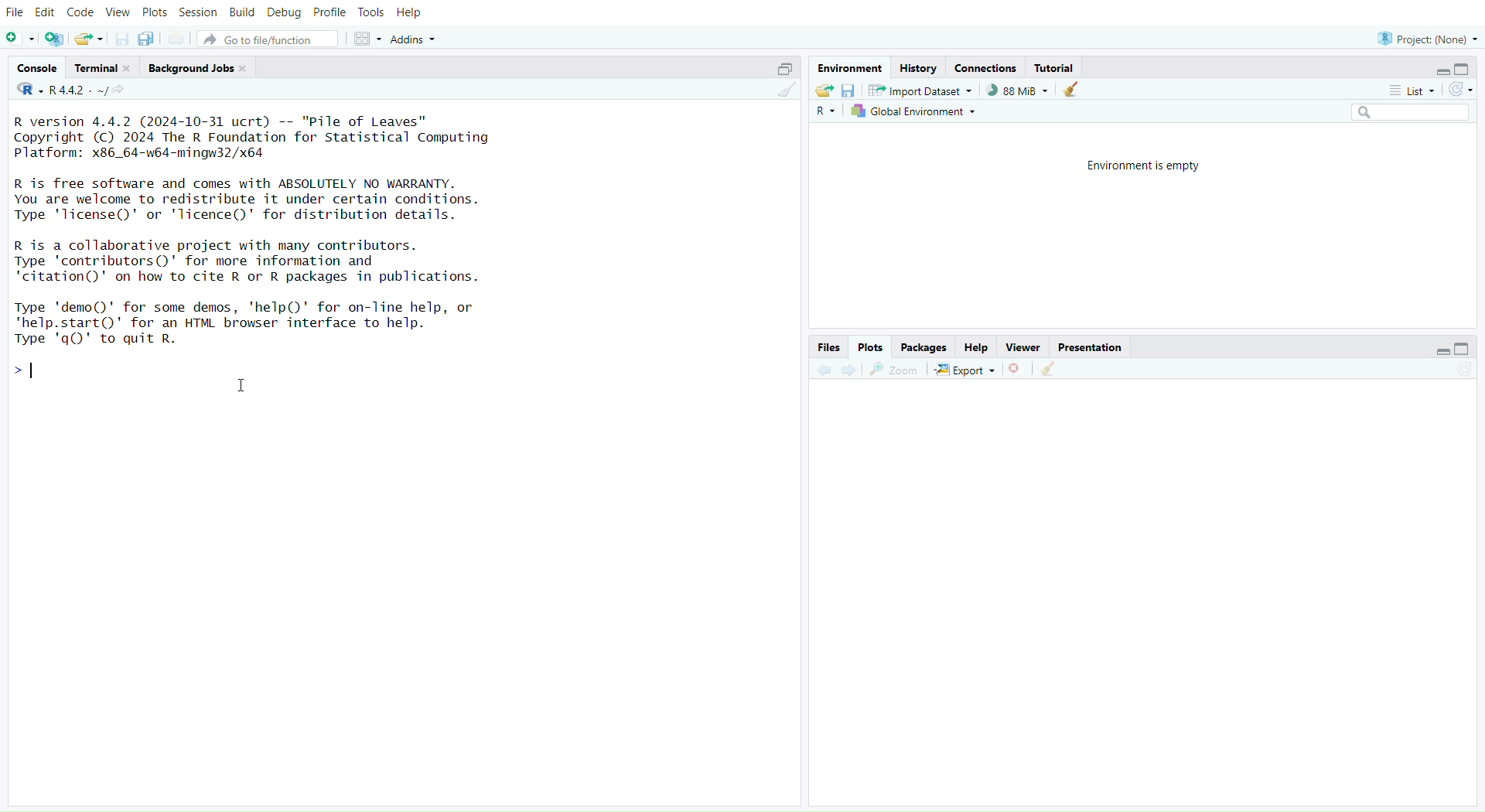 The height and width of the screenshot is (812, 1485). Describe the element at coordinates (1057, 67) in the screenshot. I see `tutorial` at that location.